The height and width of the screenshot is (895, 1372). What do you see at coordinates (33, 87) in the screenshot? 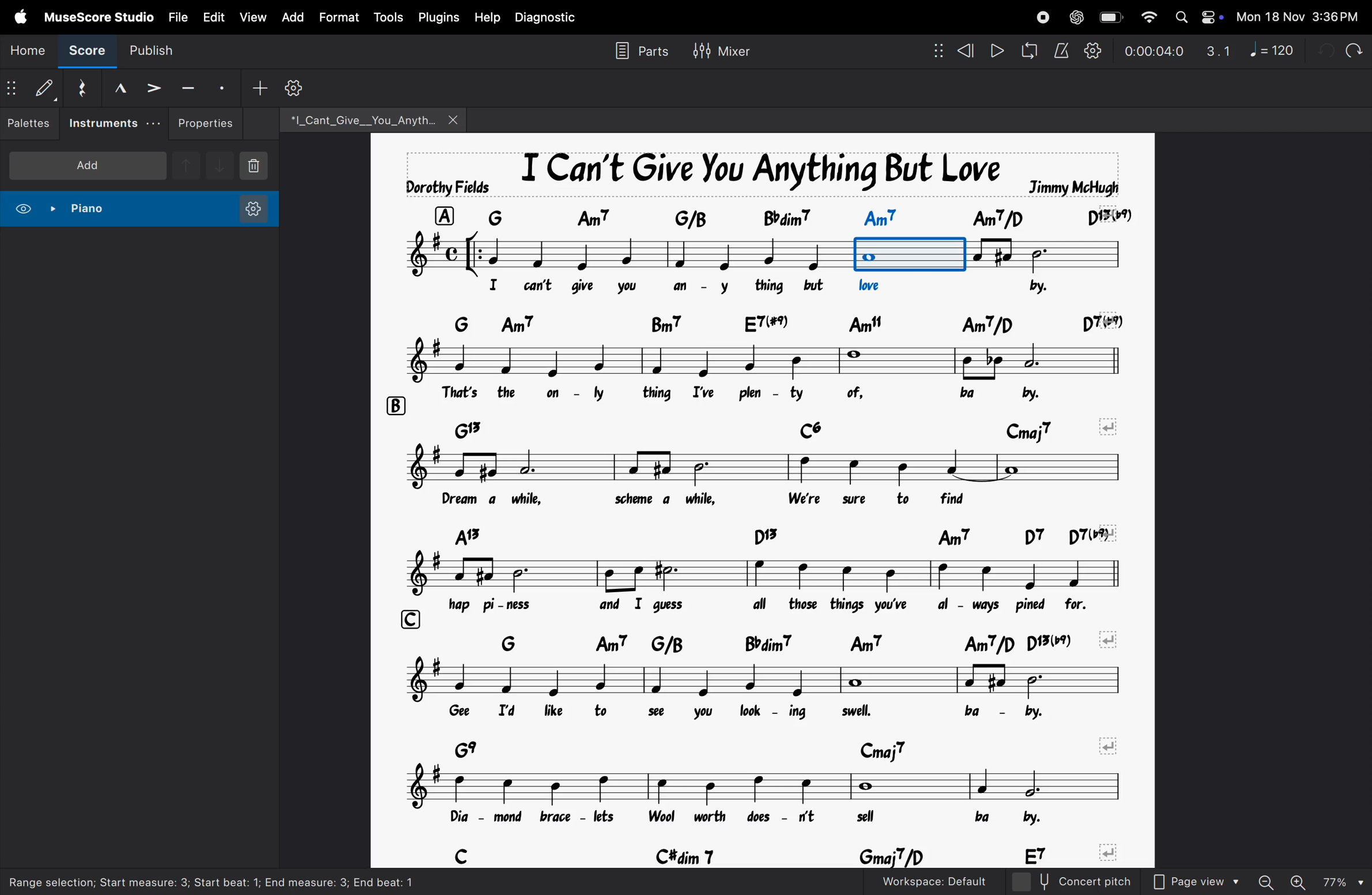
I see ` default` at bounding box center [33, 87].